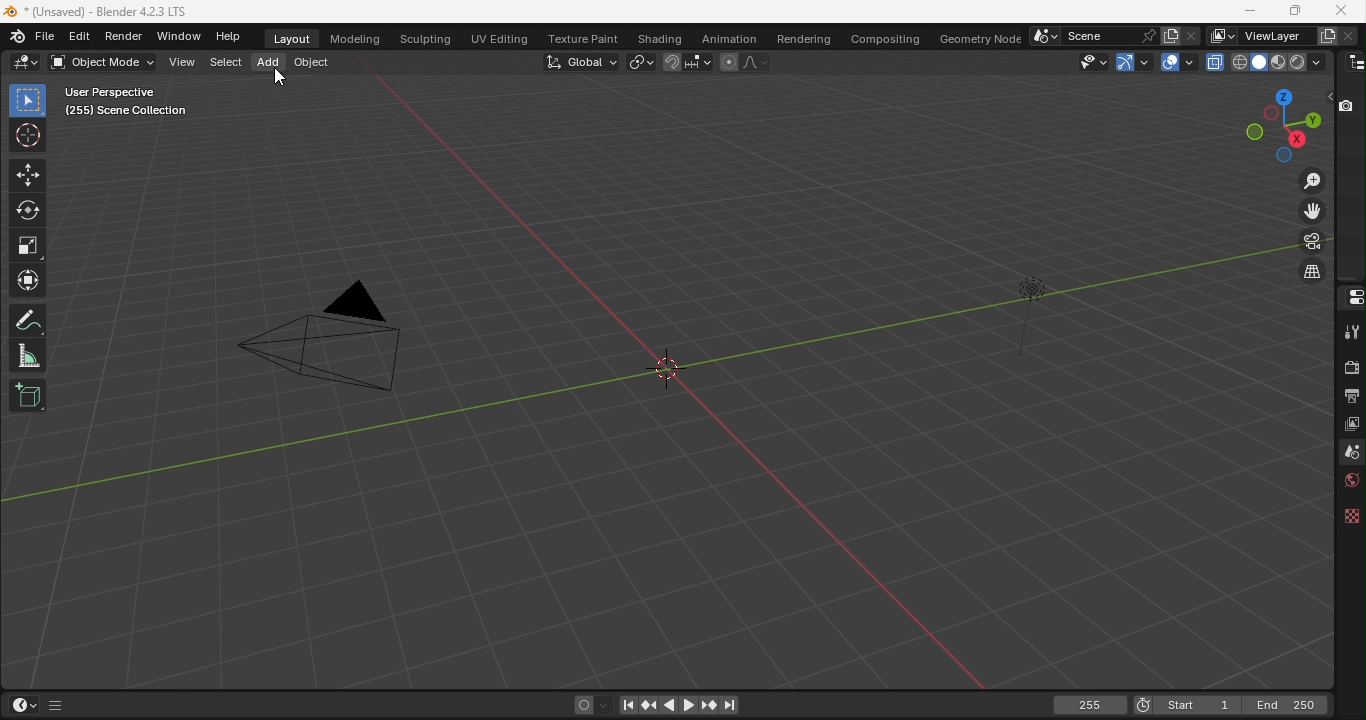  I want to click on The active workspace view layer showing in the window, so click(1220, 35).